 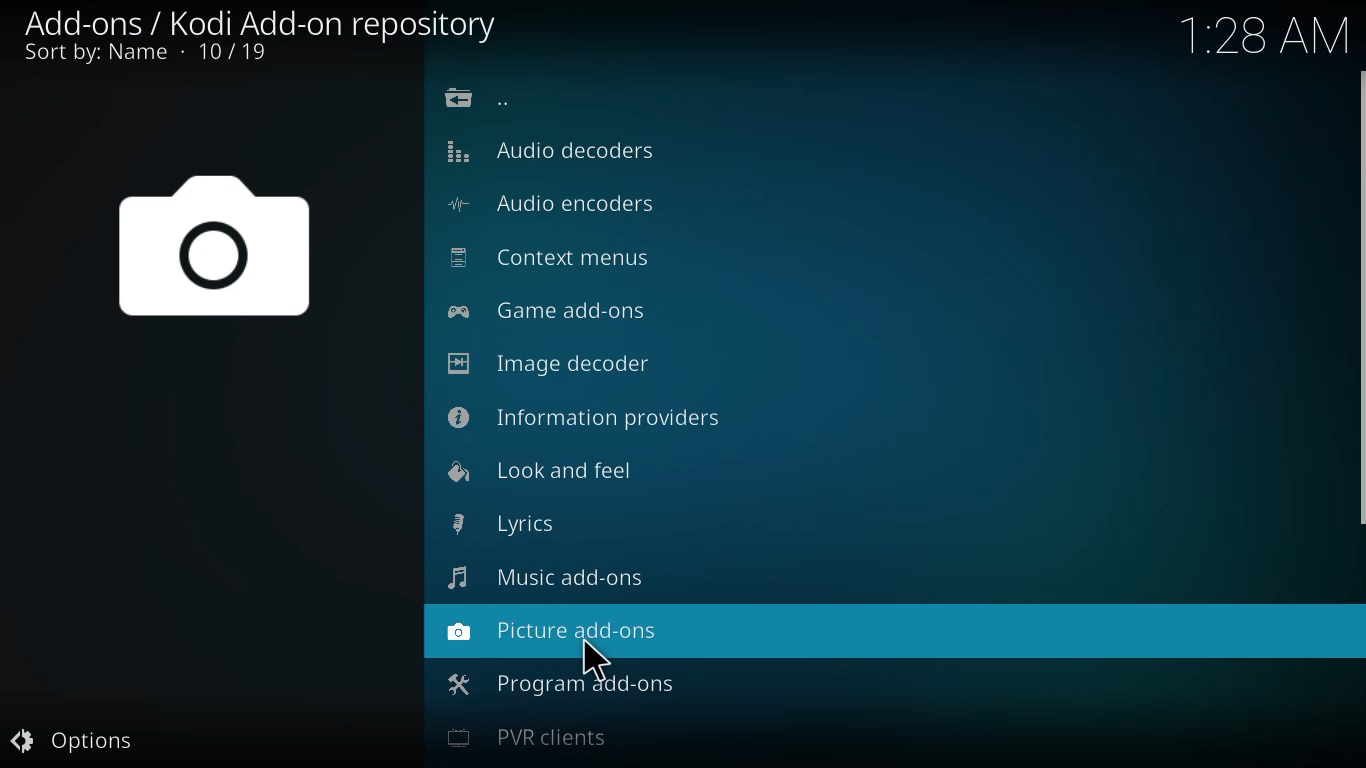 What do you see at coordinates (591, 416) in the screenshot?
I see `information providers` at bounding box center [591, 416].